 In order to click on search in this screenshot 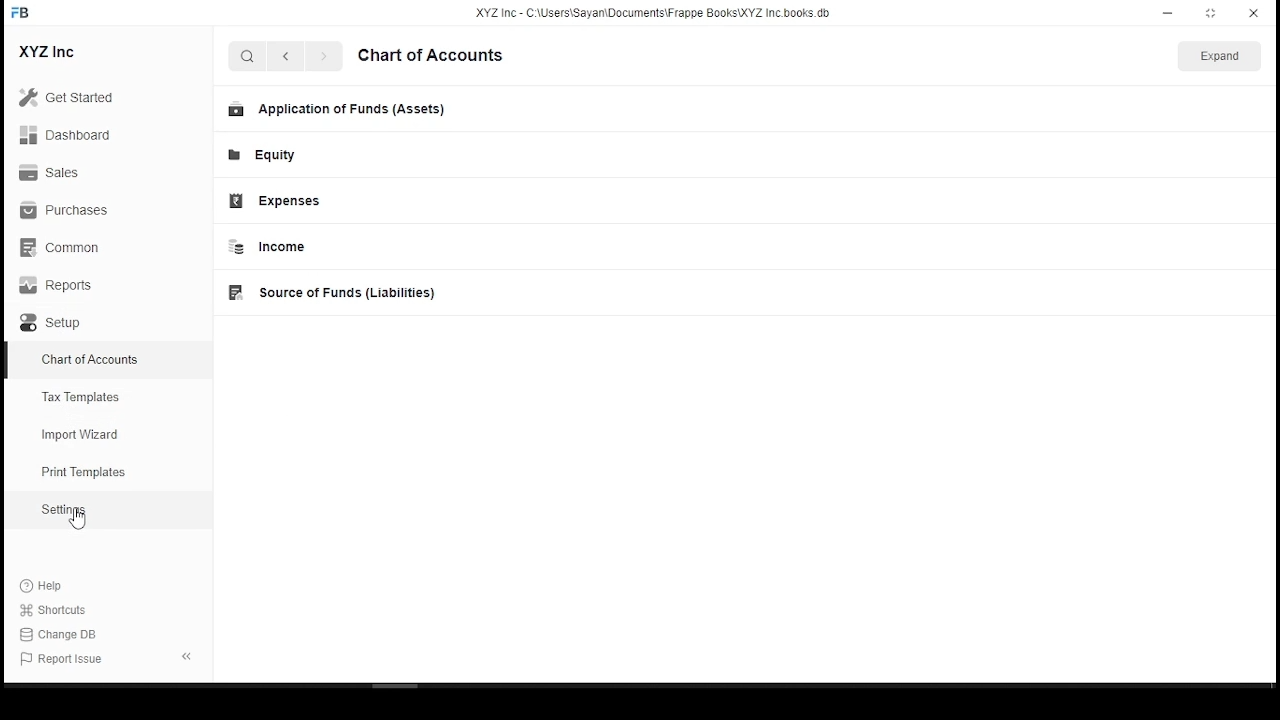, I will do `click(247, 55)`.